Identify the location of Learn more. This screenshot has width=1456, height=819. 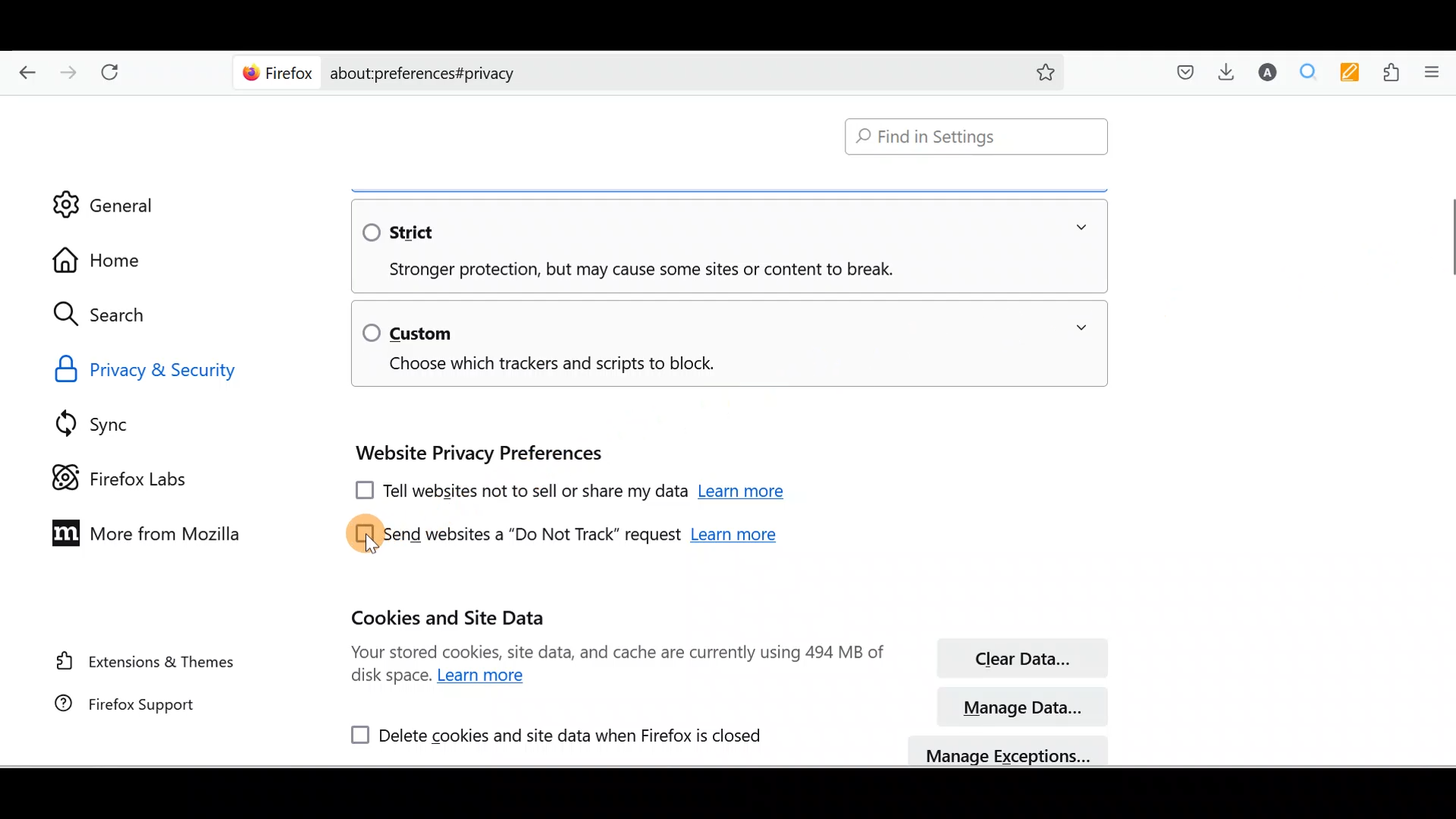
(734, 537).